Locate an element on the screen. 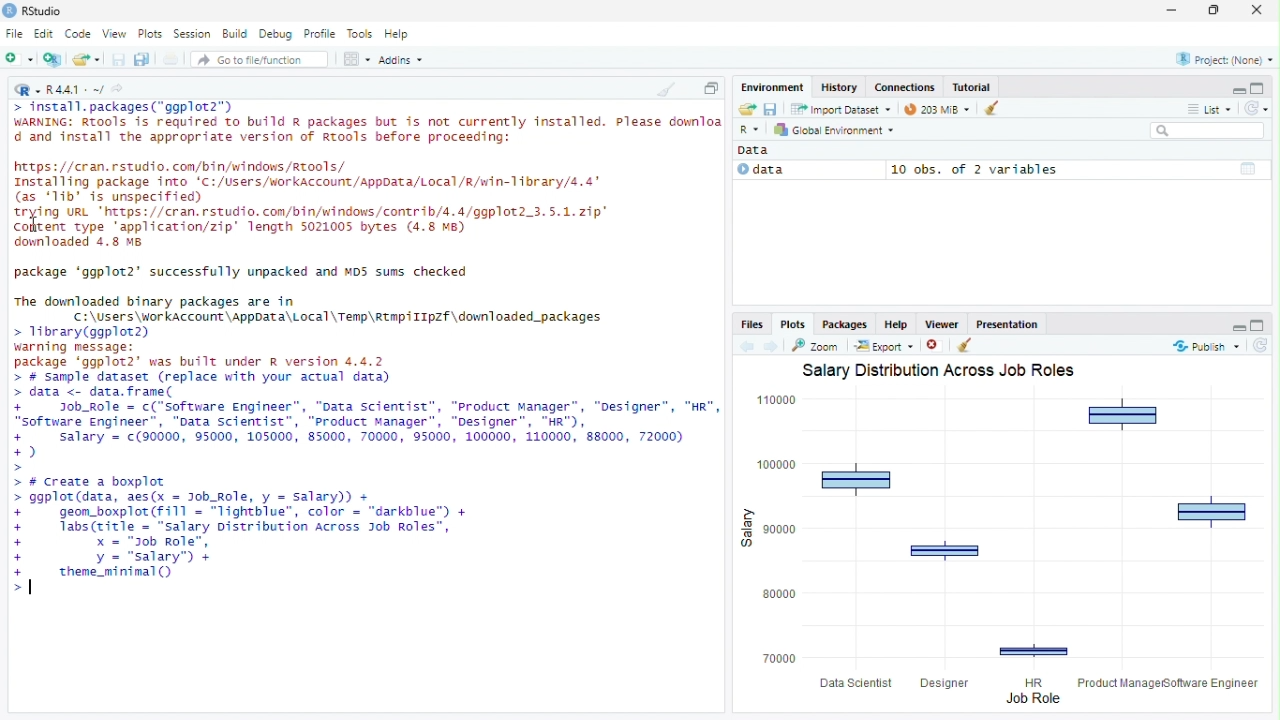 This screenshot has width=1280, height=720. refresh file listing is located at coordinates (1261, 346).